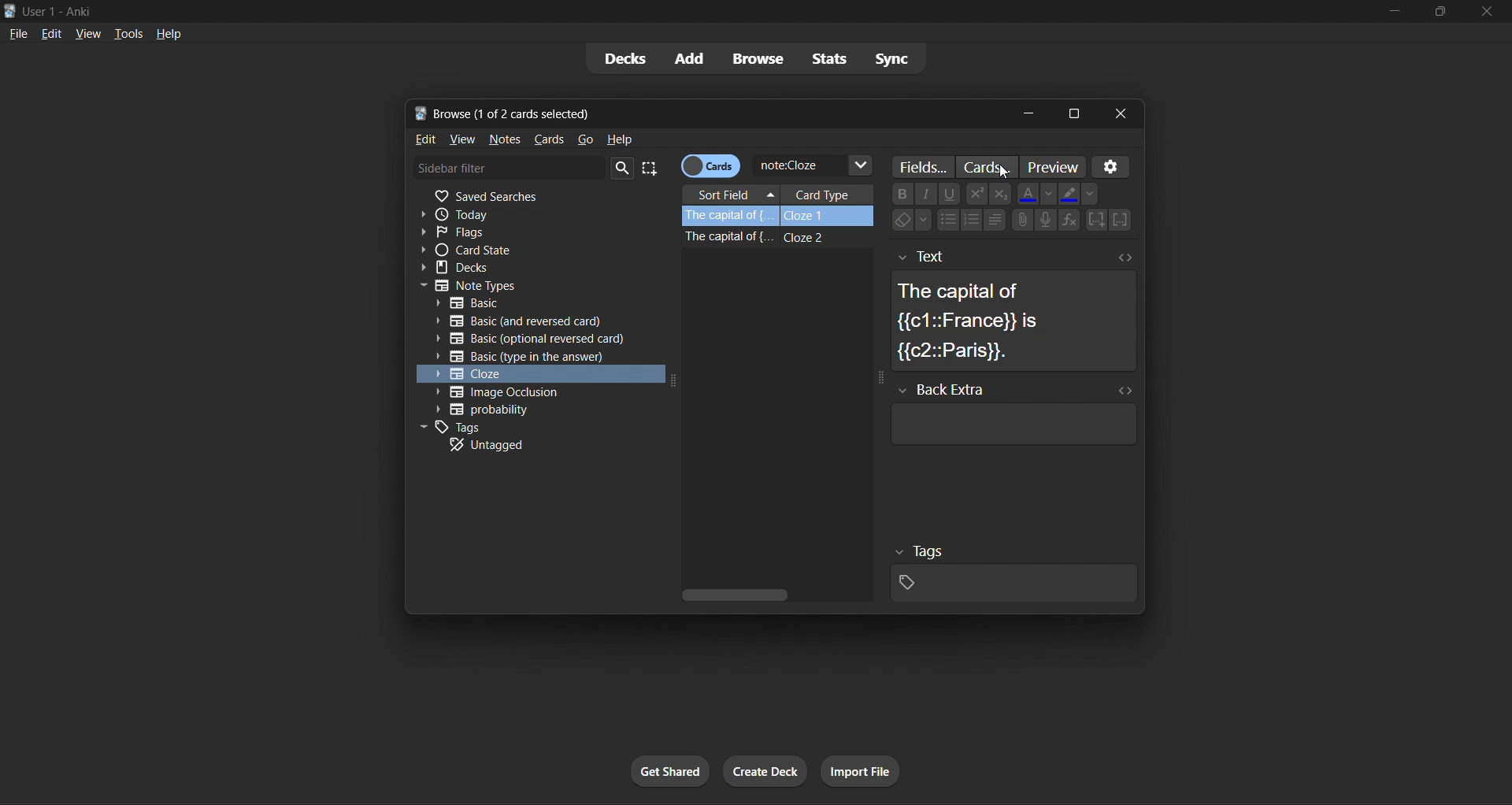 This screenshot has height=805, width=1512. Describe the element at coordinates (621, 138) in the screenshot. I see `help` at that location.